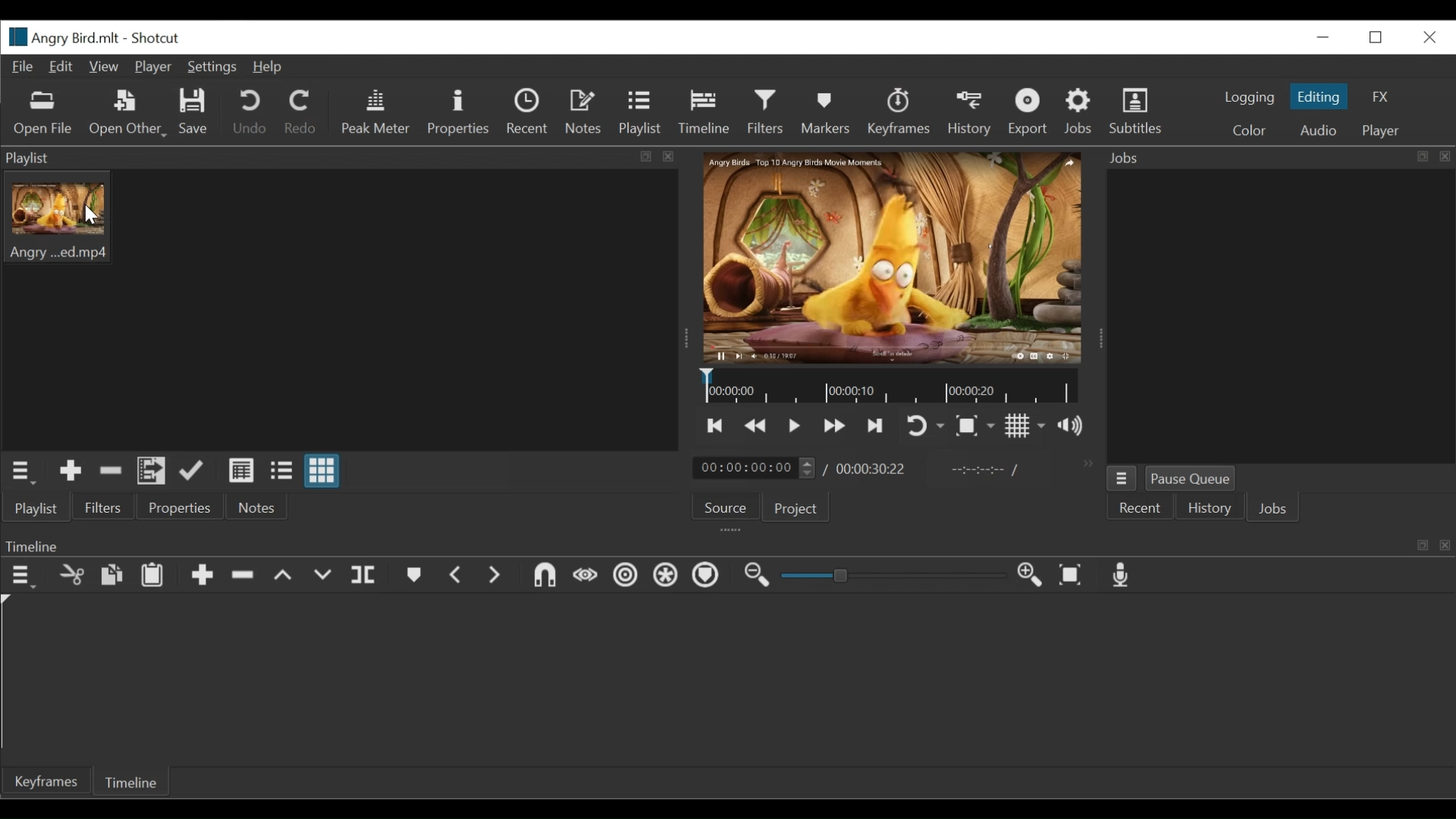  I want to click on Jobs Panel, so click(1279, 316).